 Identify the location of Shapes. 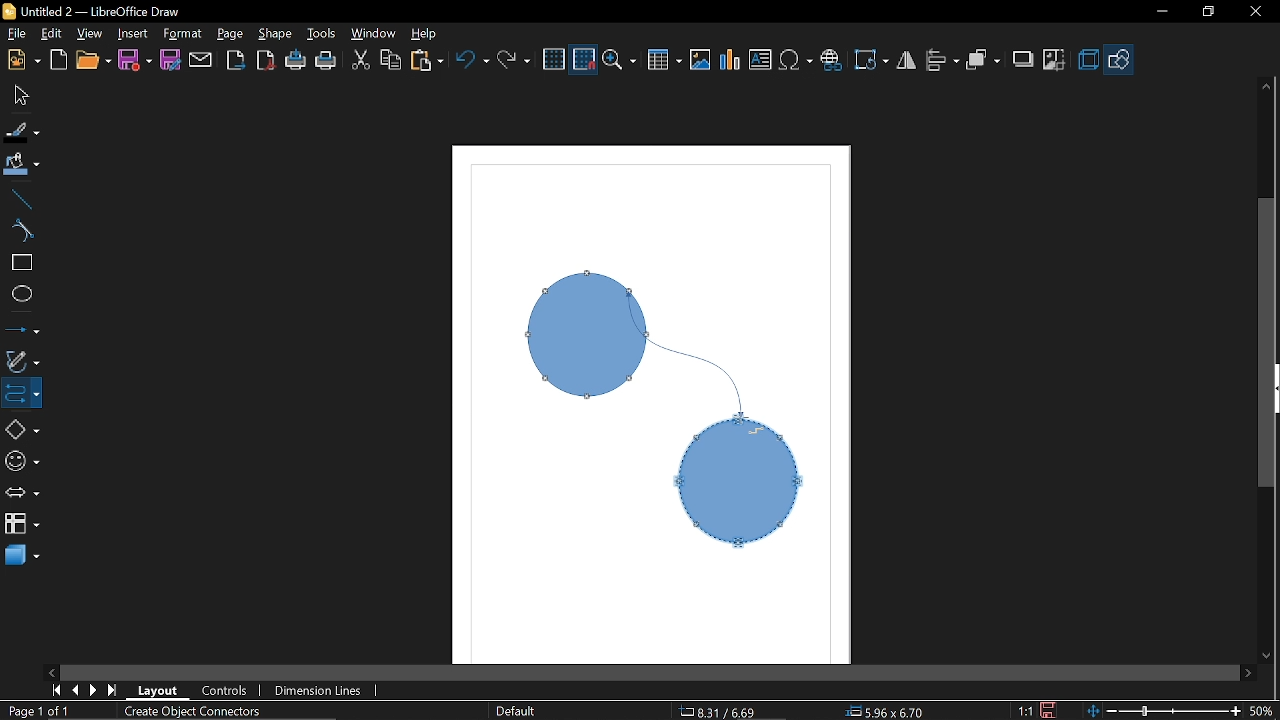
(1121, 58).